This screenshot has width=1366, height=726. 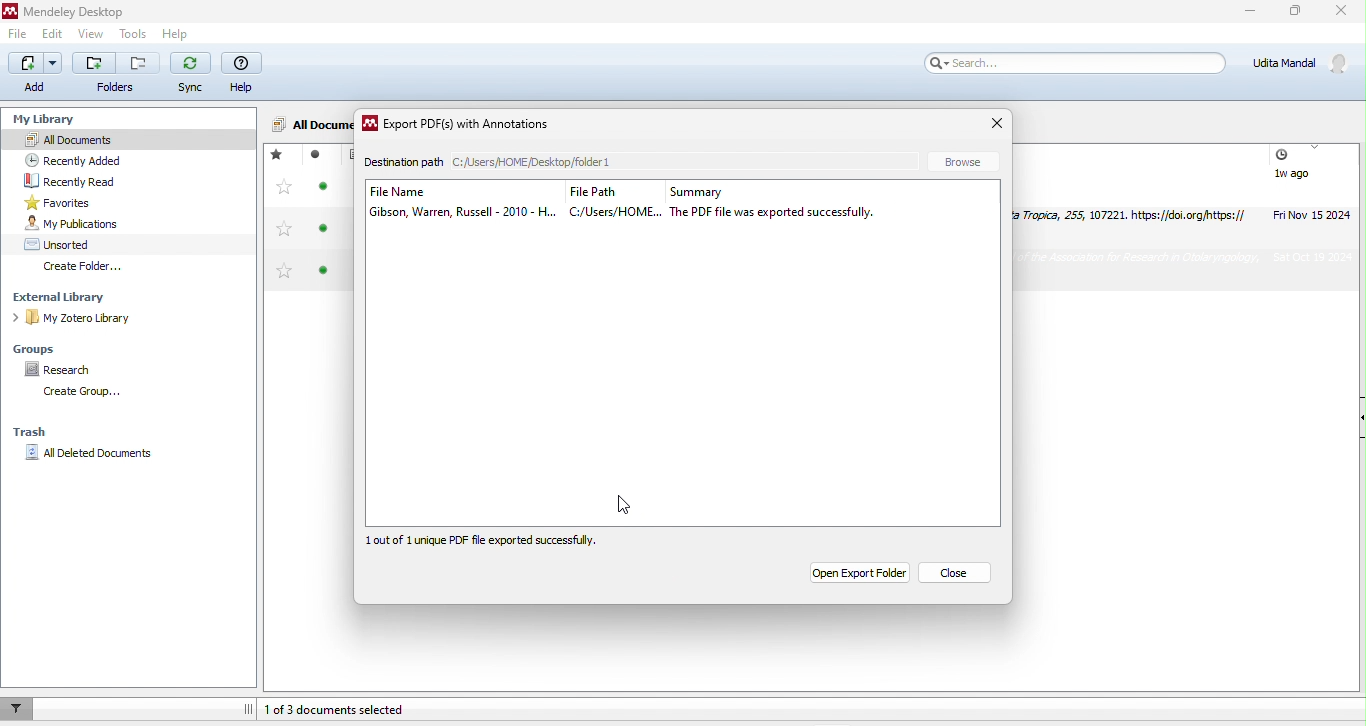 What do you see at coordinates (359, 712) in the screenshot?
I see `1 of 3 documents selected` at bounding box center [359, 712].